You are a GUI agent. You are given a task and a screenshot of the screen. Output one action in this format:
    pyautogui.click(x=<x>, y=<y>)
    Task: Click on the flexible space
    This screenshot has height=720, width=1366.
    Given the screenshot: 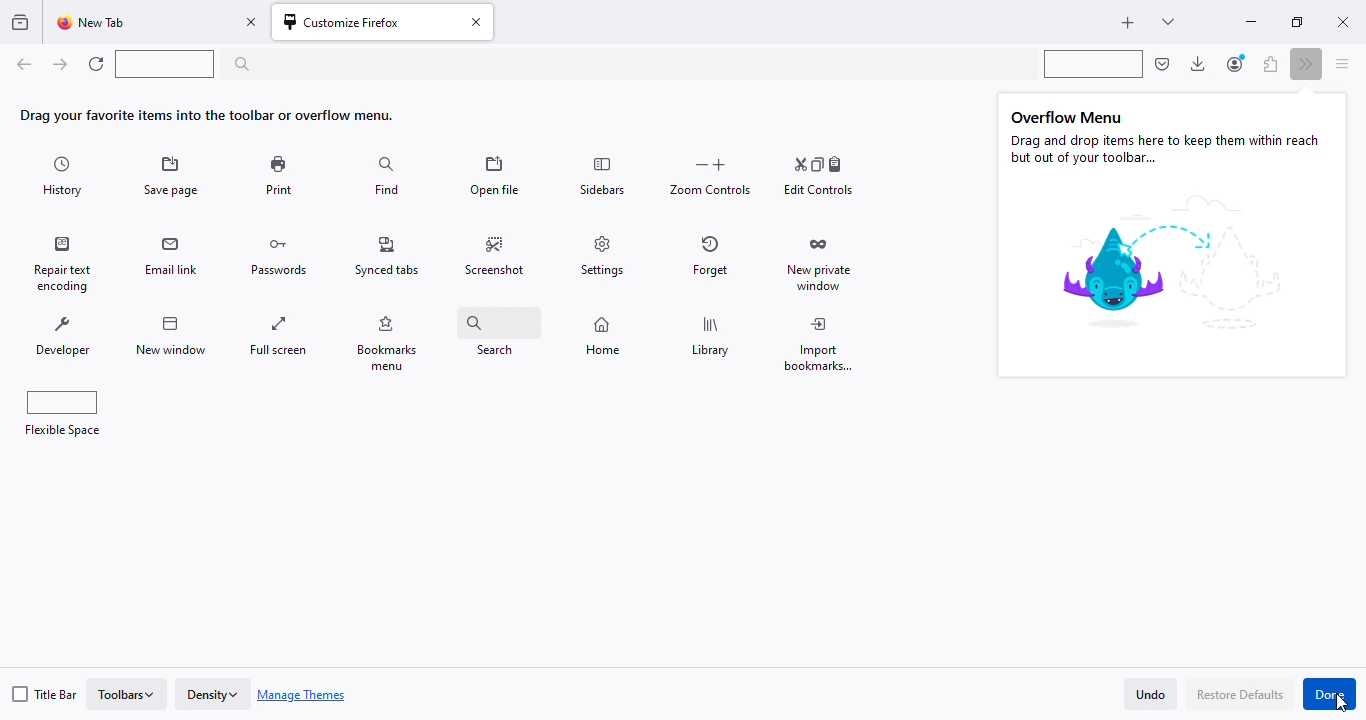 What is the action you would take?
    pyautogui.click(x=164, y=64)
    